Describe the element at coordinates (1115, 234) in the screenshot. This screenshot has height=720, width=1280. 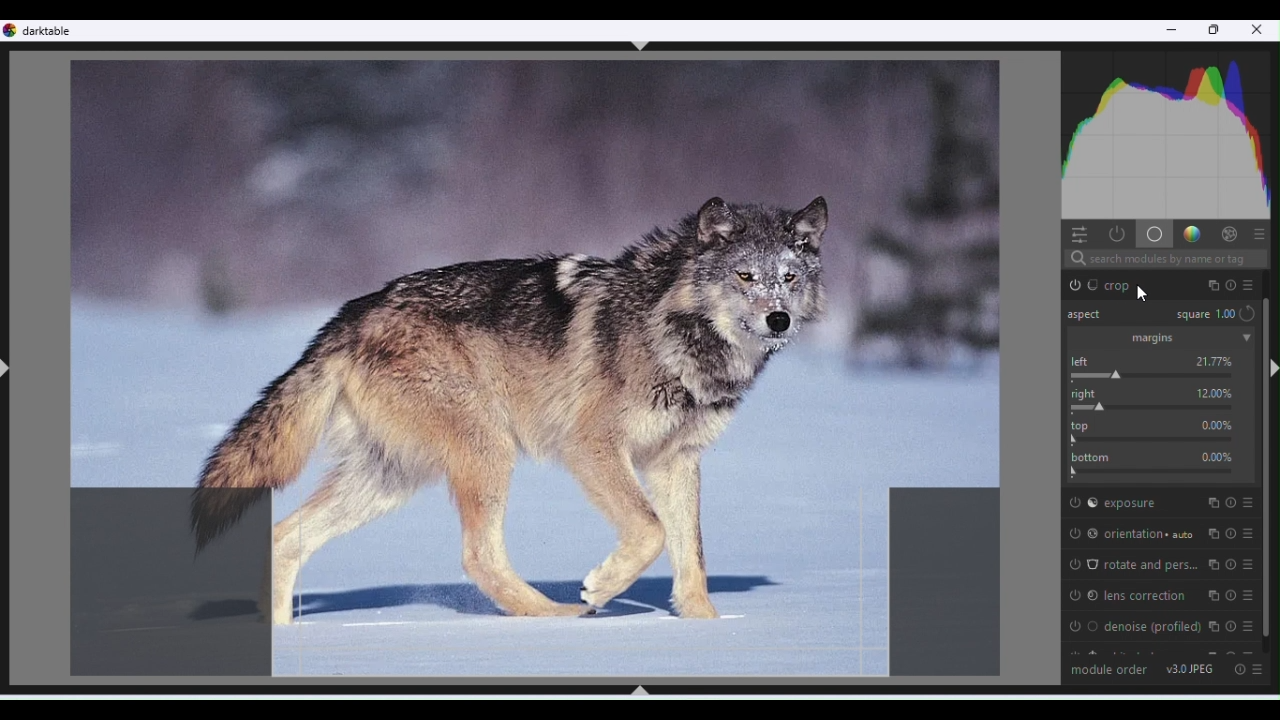
I see `Show active modules only` at that location.